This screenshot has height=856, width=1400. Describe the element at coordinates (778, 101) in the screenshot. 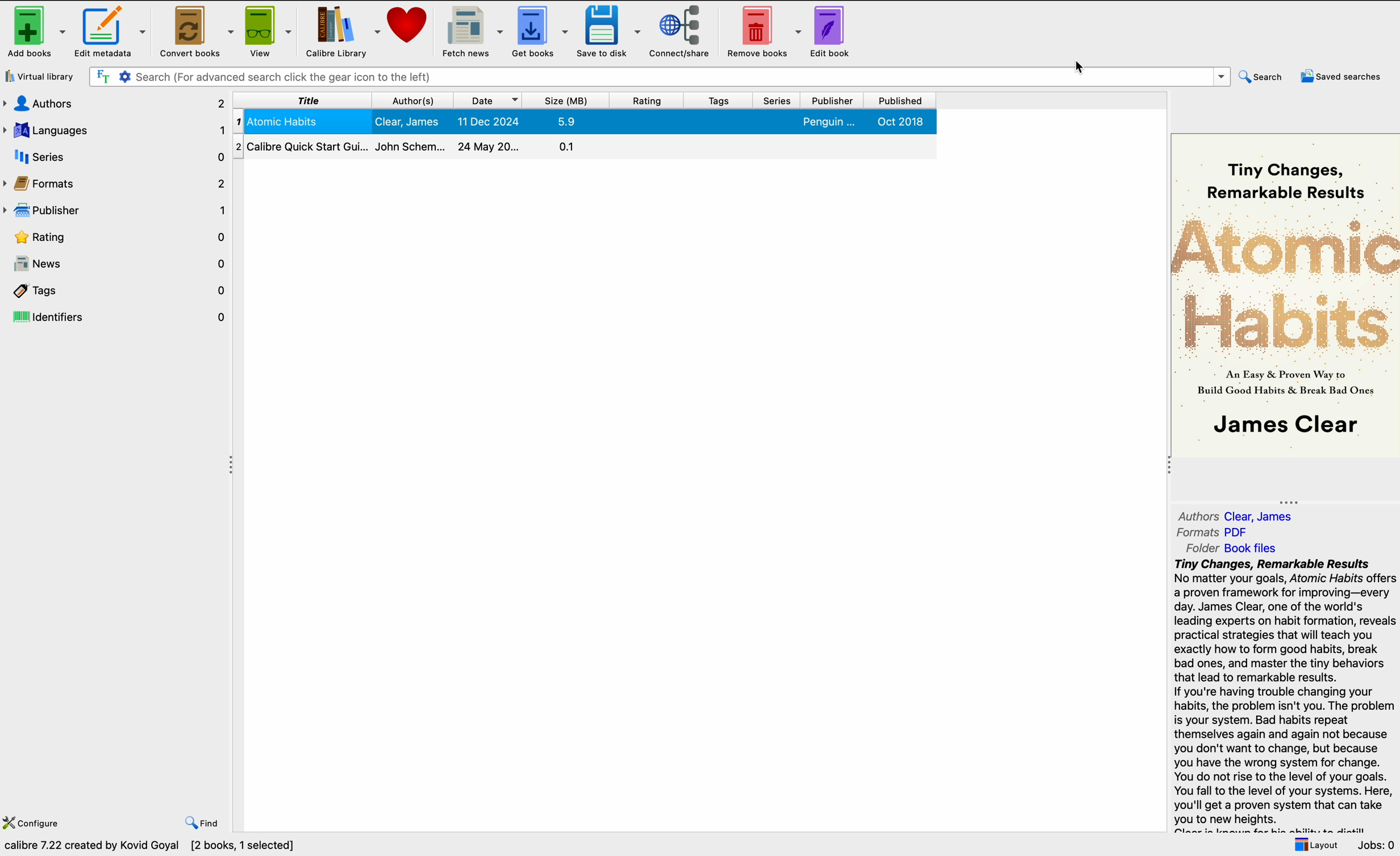

I see `series` at that location.